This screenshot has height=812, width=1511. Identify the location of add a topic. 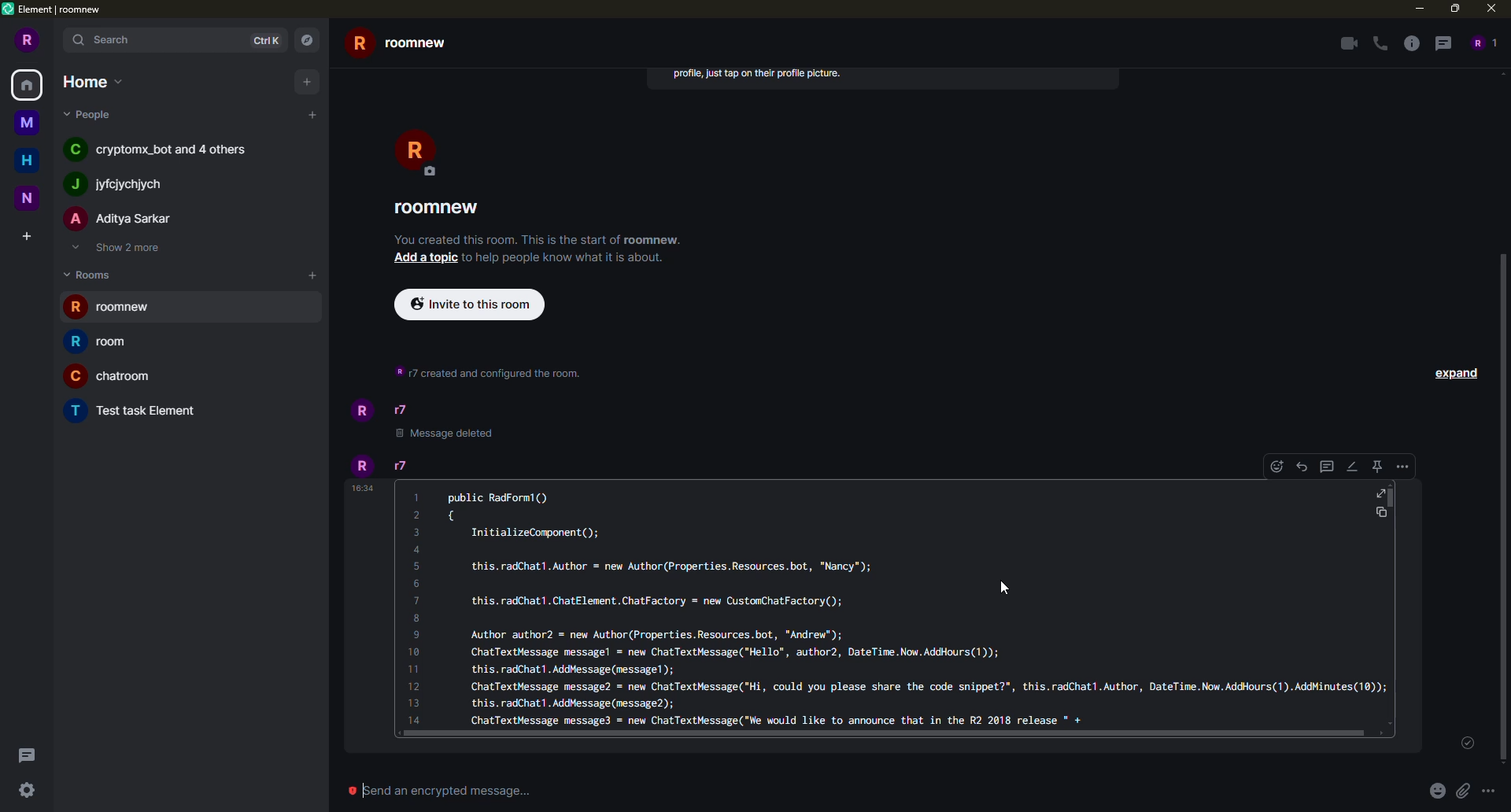
(426, 260).